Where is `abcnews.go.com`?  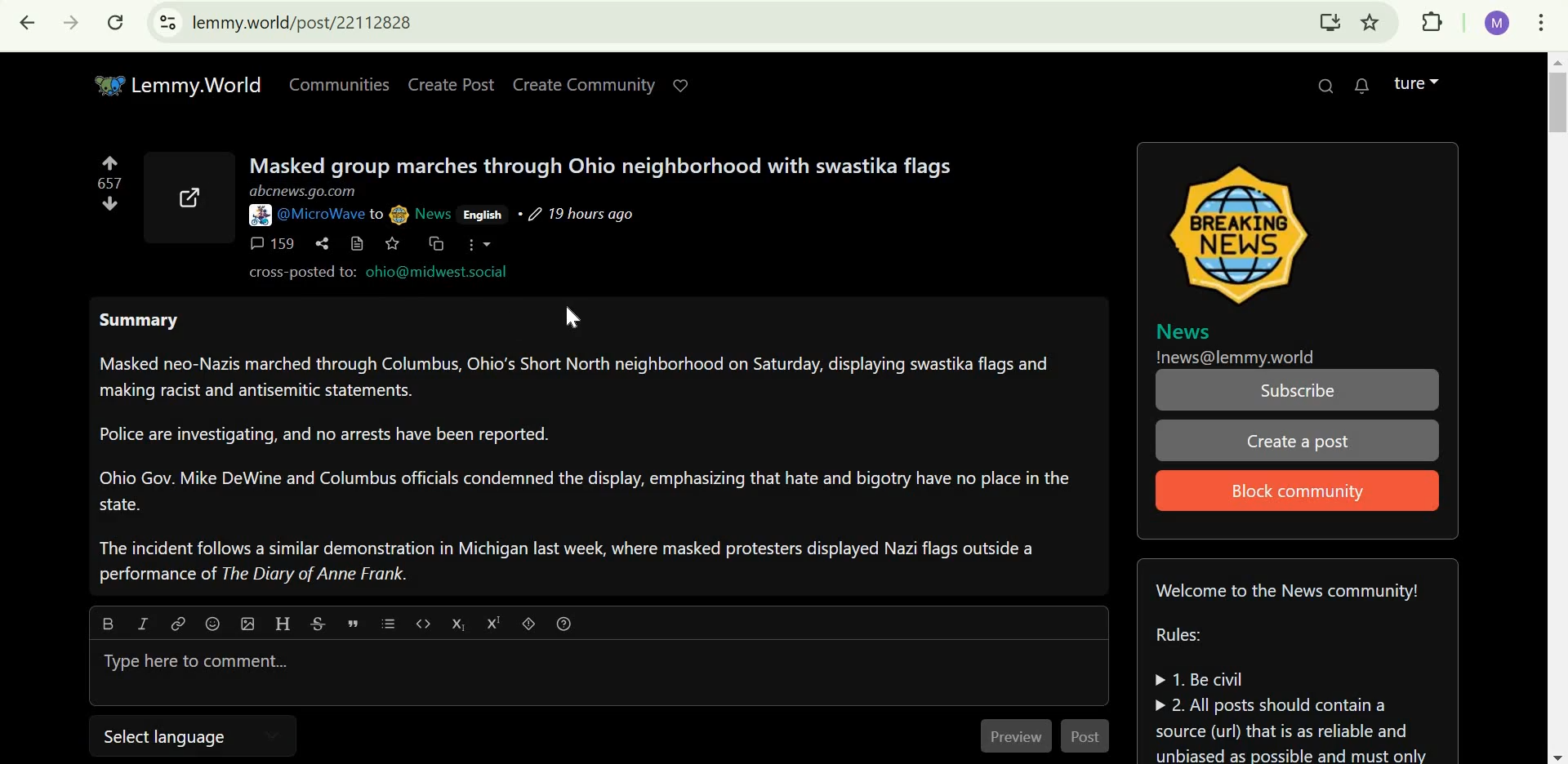 abcnews.go.com is located at coordinates (303, 192).